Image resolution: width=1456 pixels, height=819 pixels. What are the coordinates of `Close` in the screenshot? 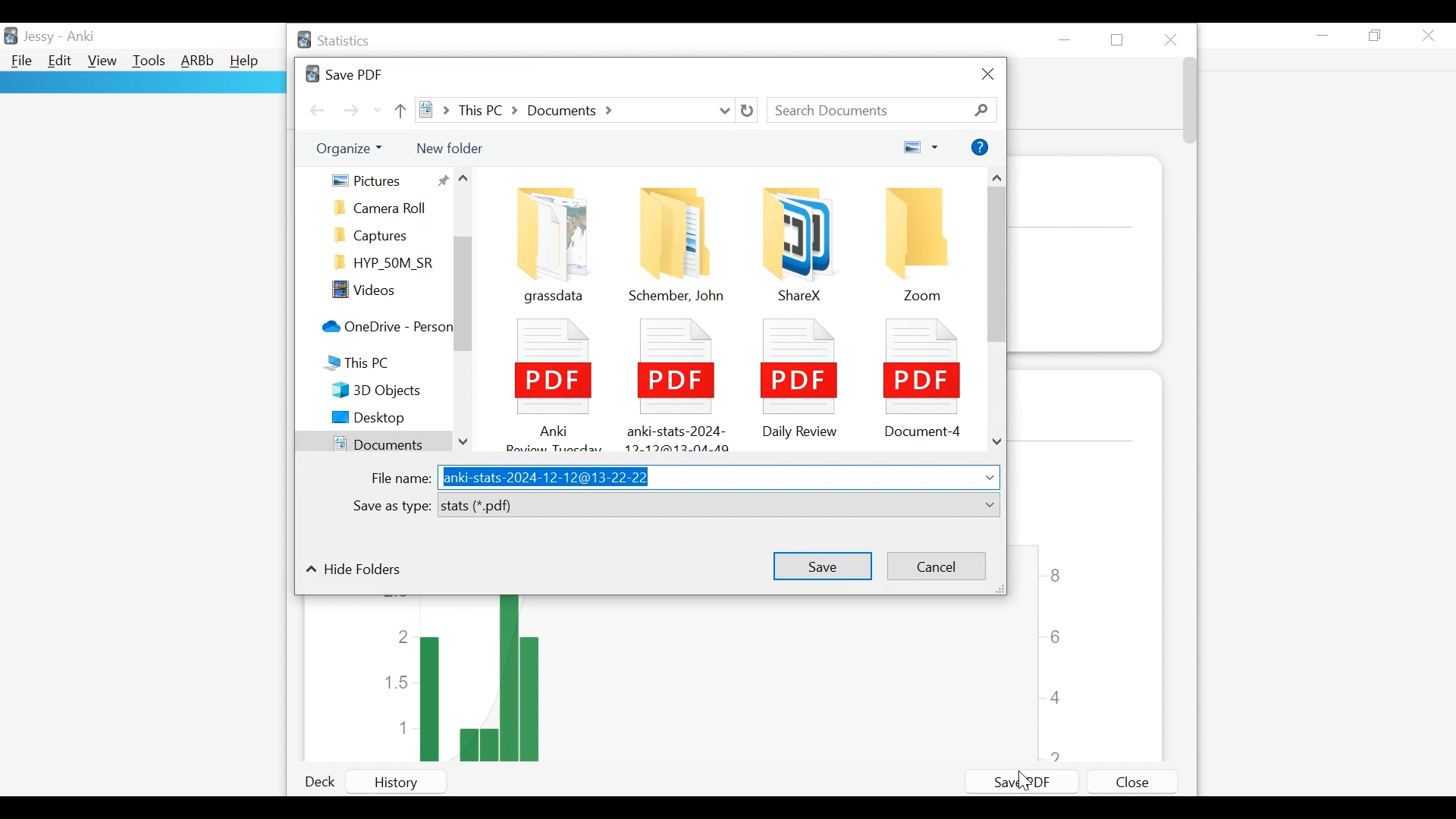 It's located at (987, 76).